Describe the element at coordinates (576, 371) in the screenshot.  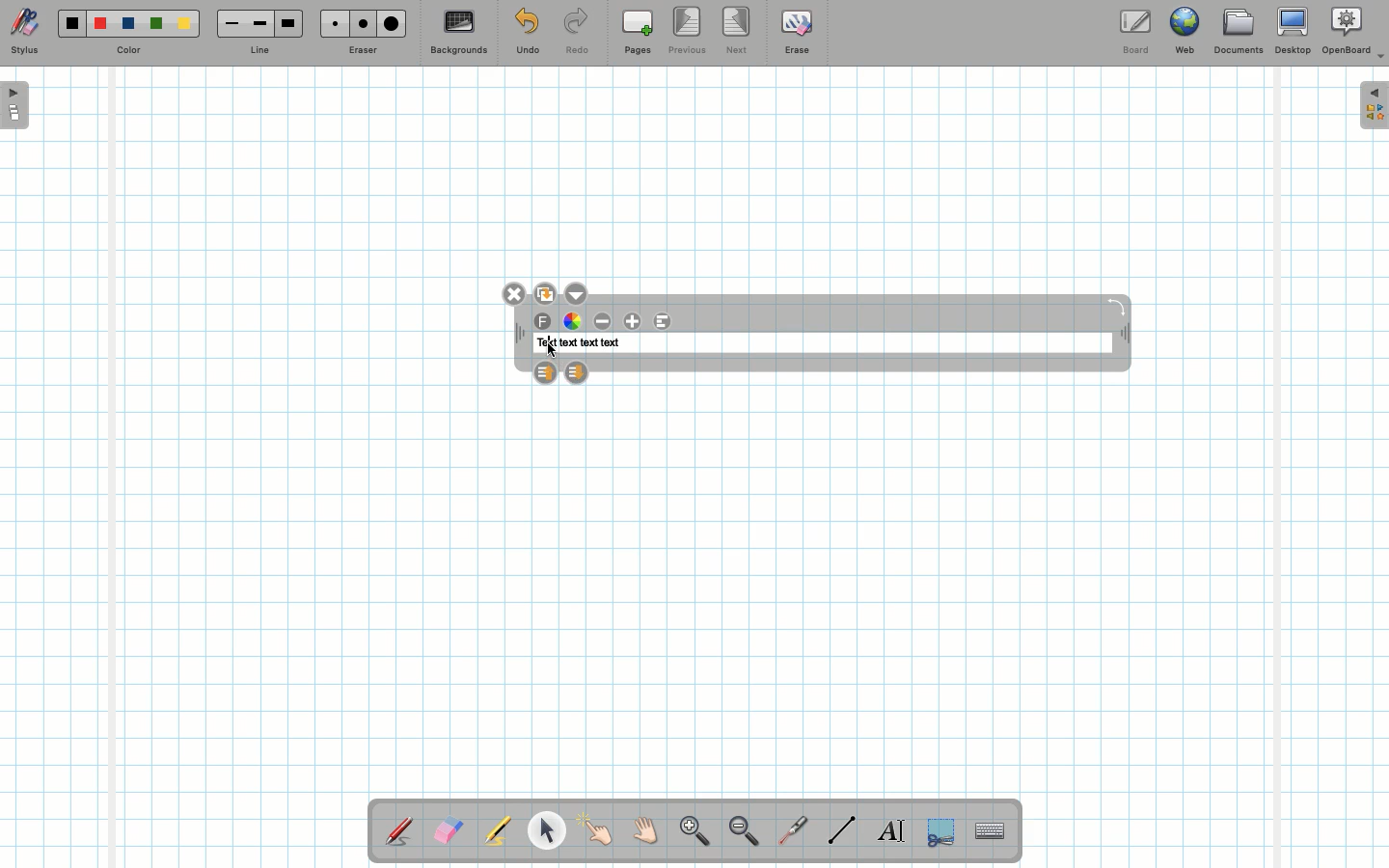
I see `Layer down` at that location.